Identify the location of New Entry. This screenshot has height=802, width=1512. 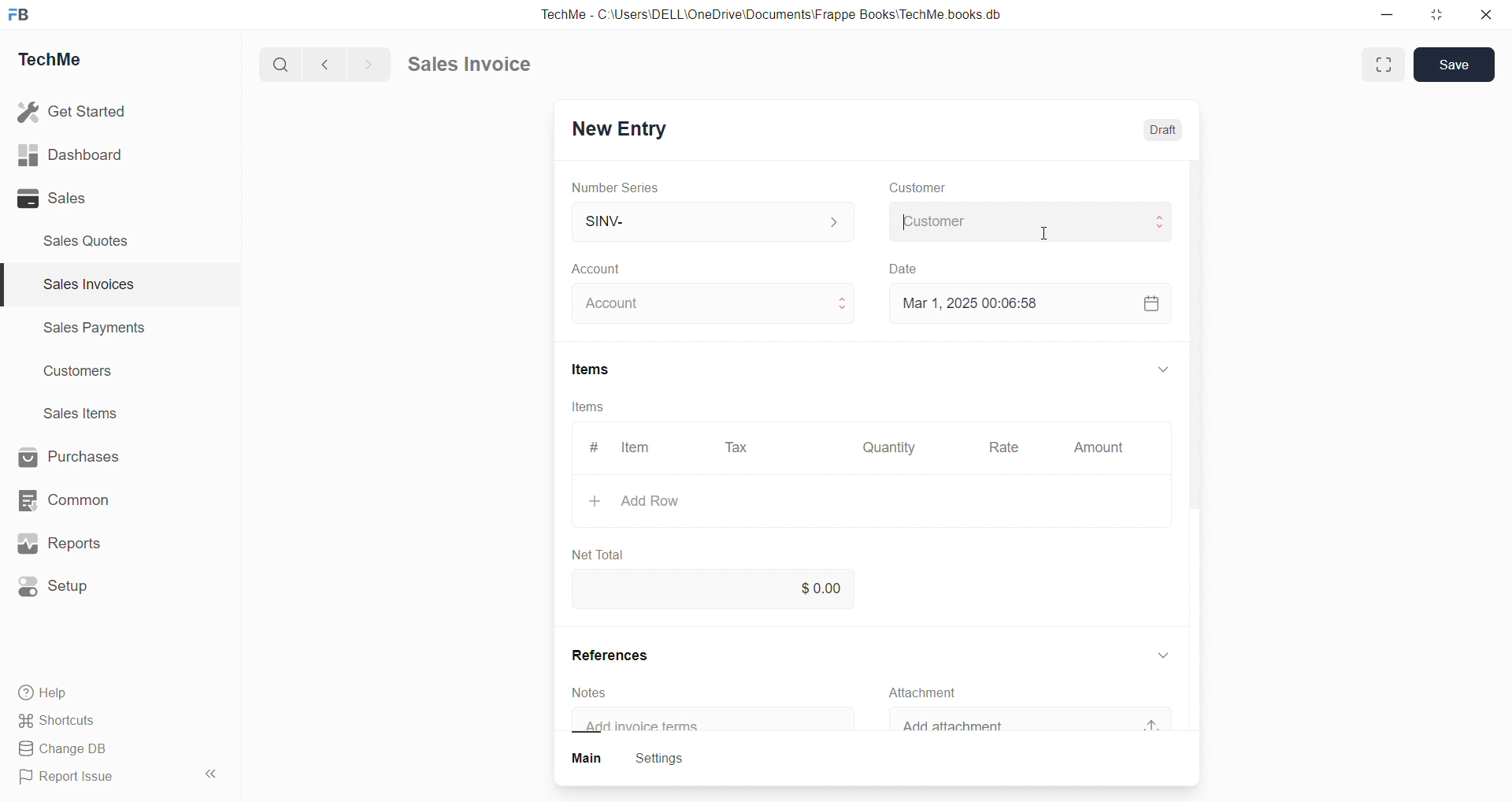
(625, 126).